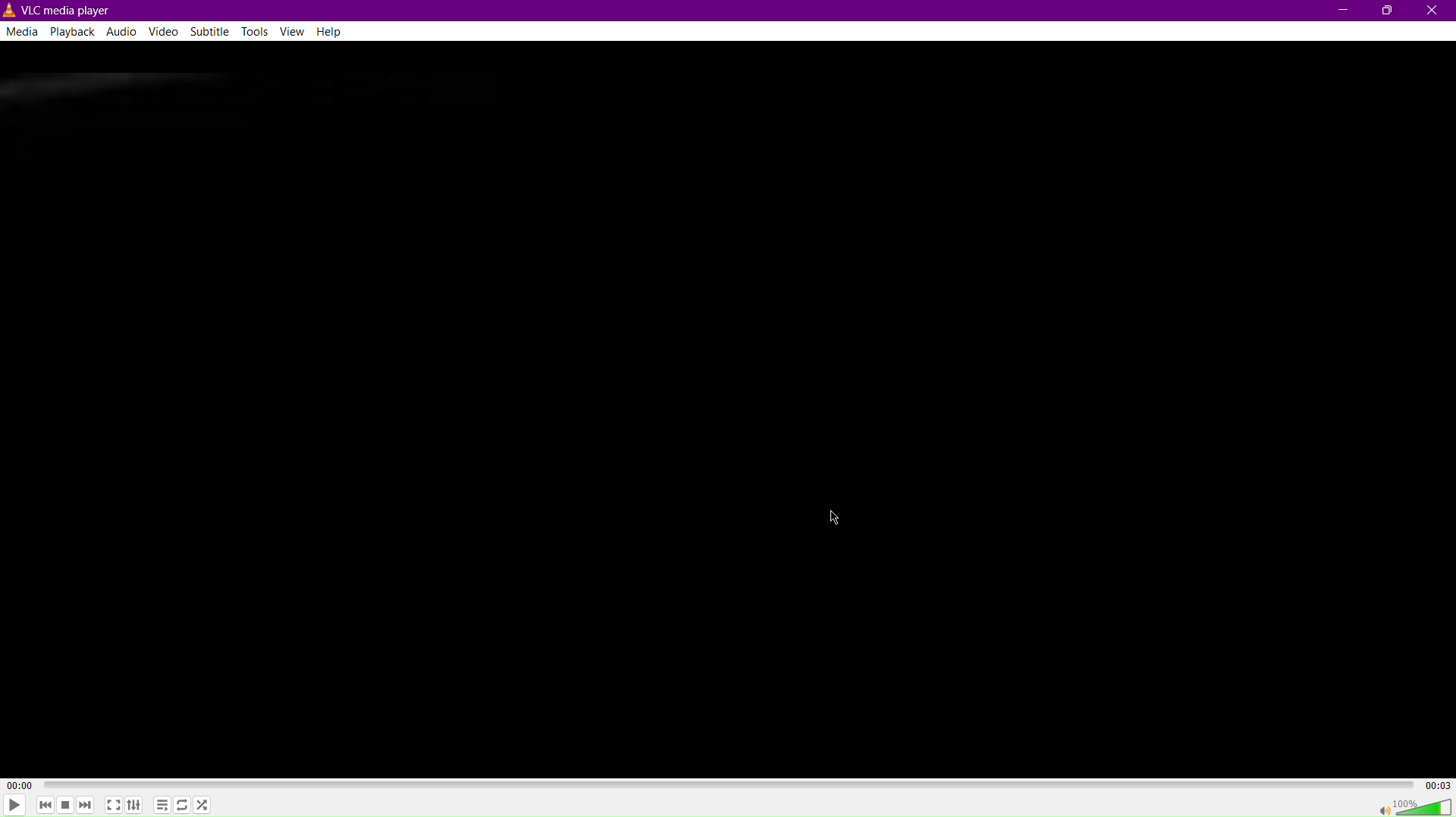  Describe the element at coordinates (86, 806) in the screenshot. I see `Skip forward` at that location.